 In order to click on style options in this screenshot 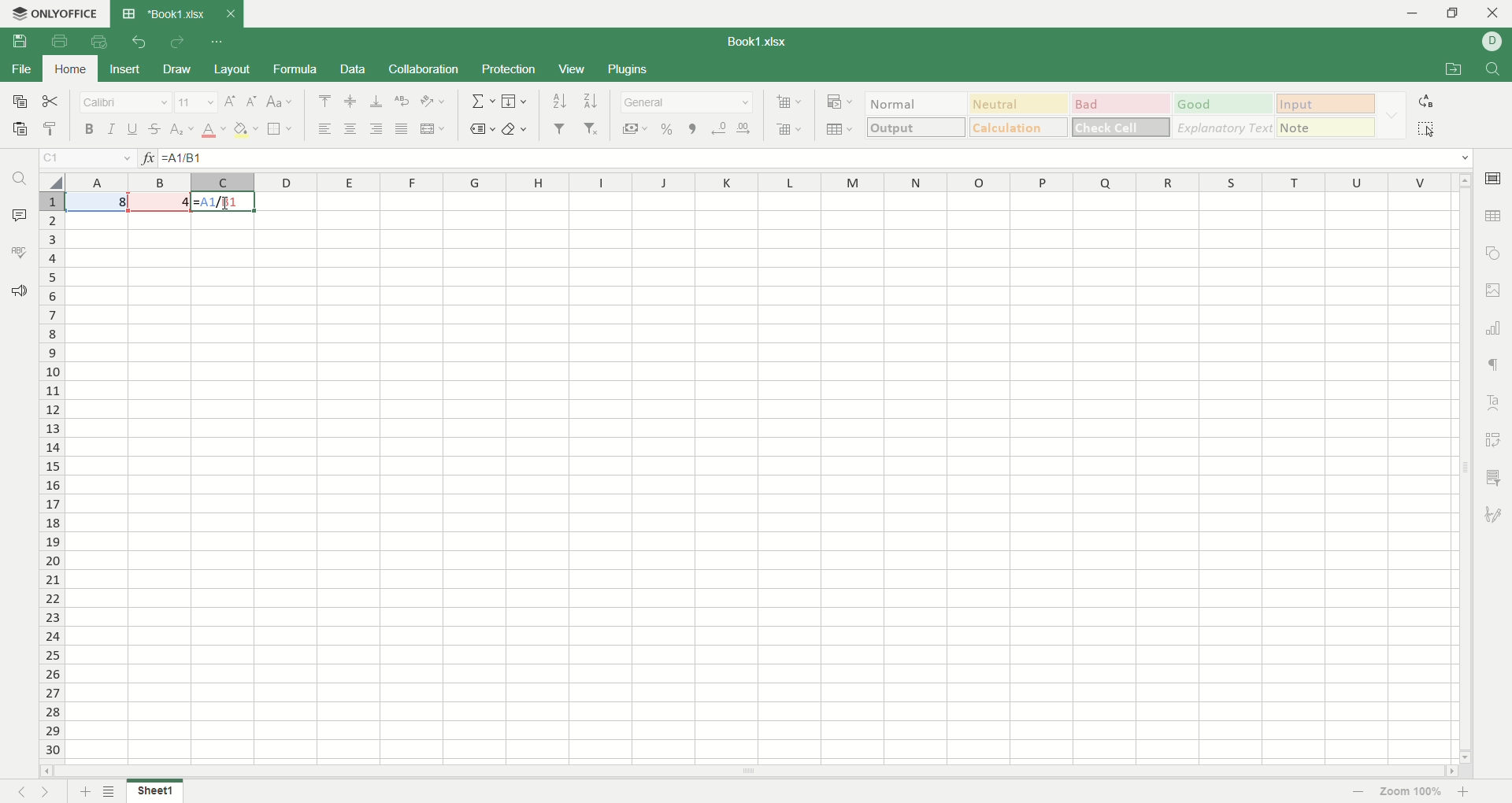, I will do `click(1391, 114)`.